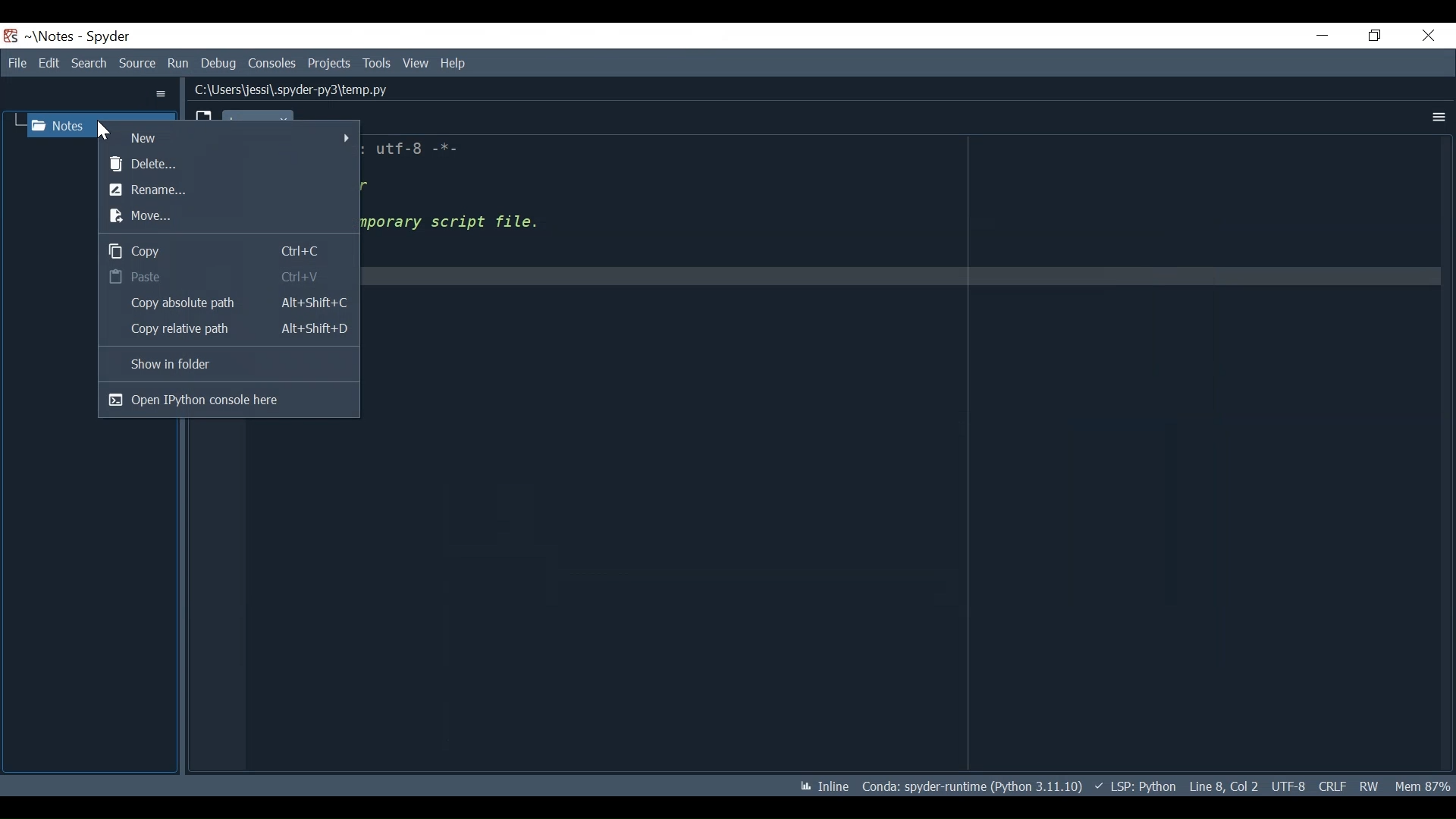  What do you see at coordinates (11, 34) in the screenshot?
I see `Spyder Desktop Icon` at bounding box center [11, 34].